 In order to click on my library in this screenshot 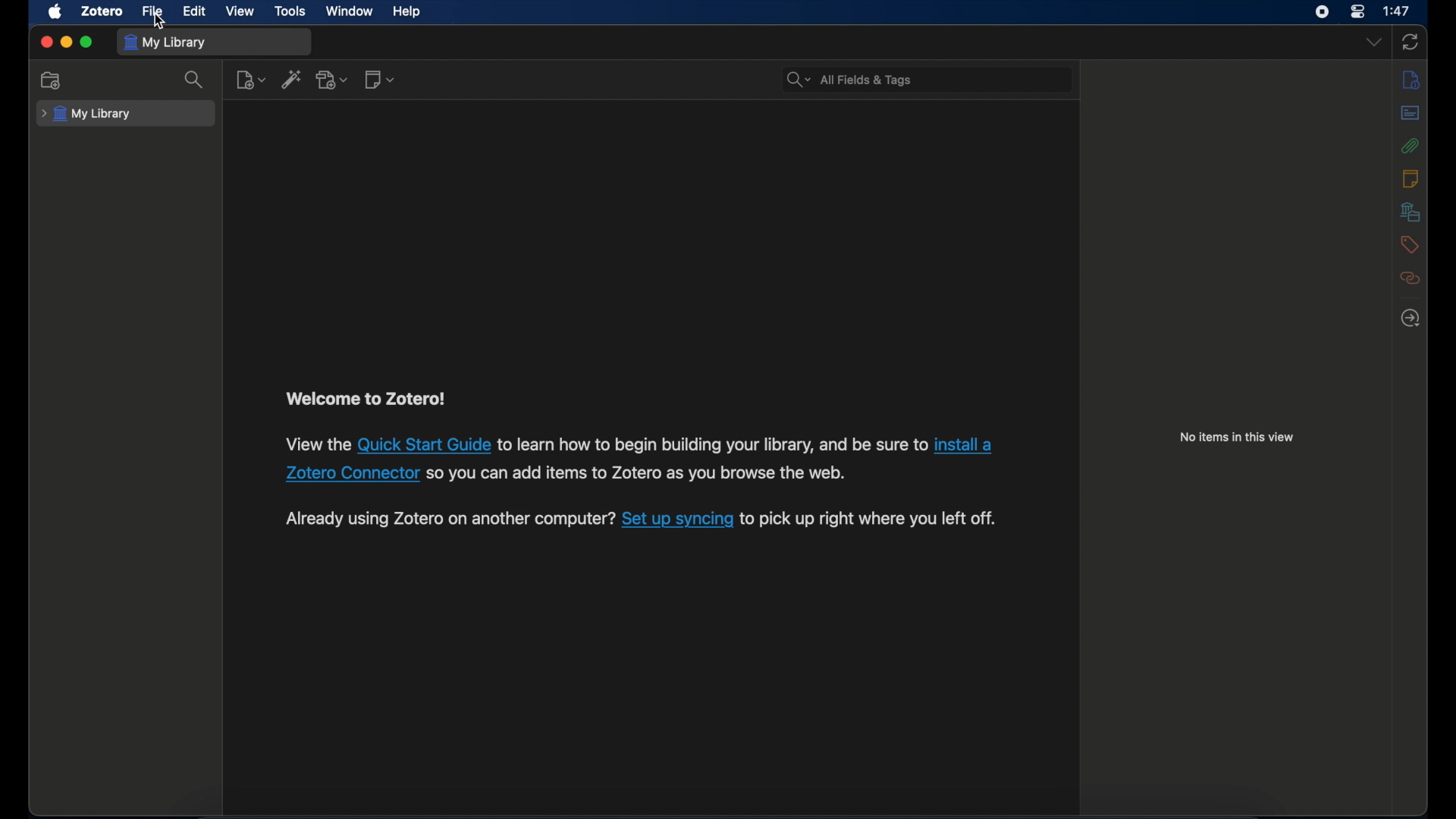, I will do `click(168, 42)`.